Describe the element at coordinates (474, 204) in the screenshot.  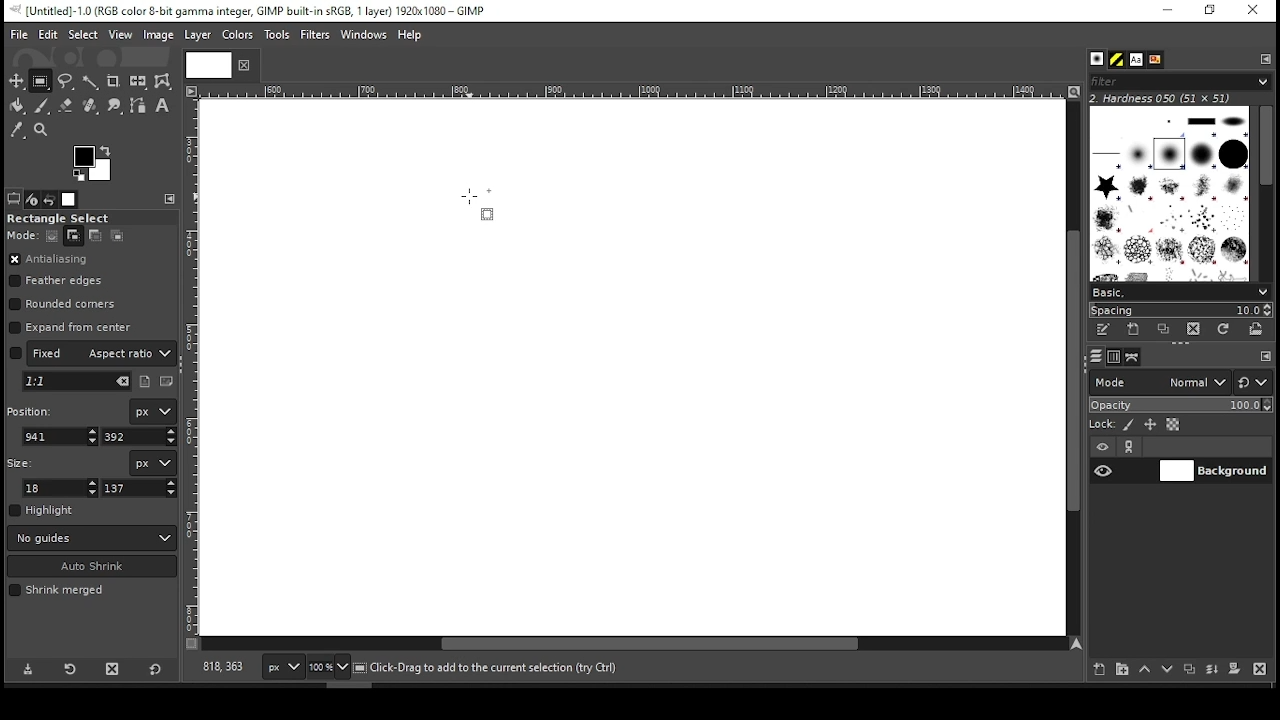
I see `mouse pointer` at that location.